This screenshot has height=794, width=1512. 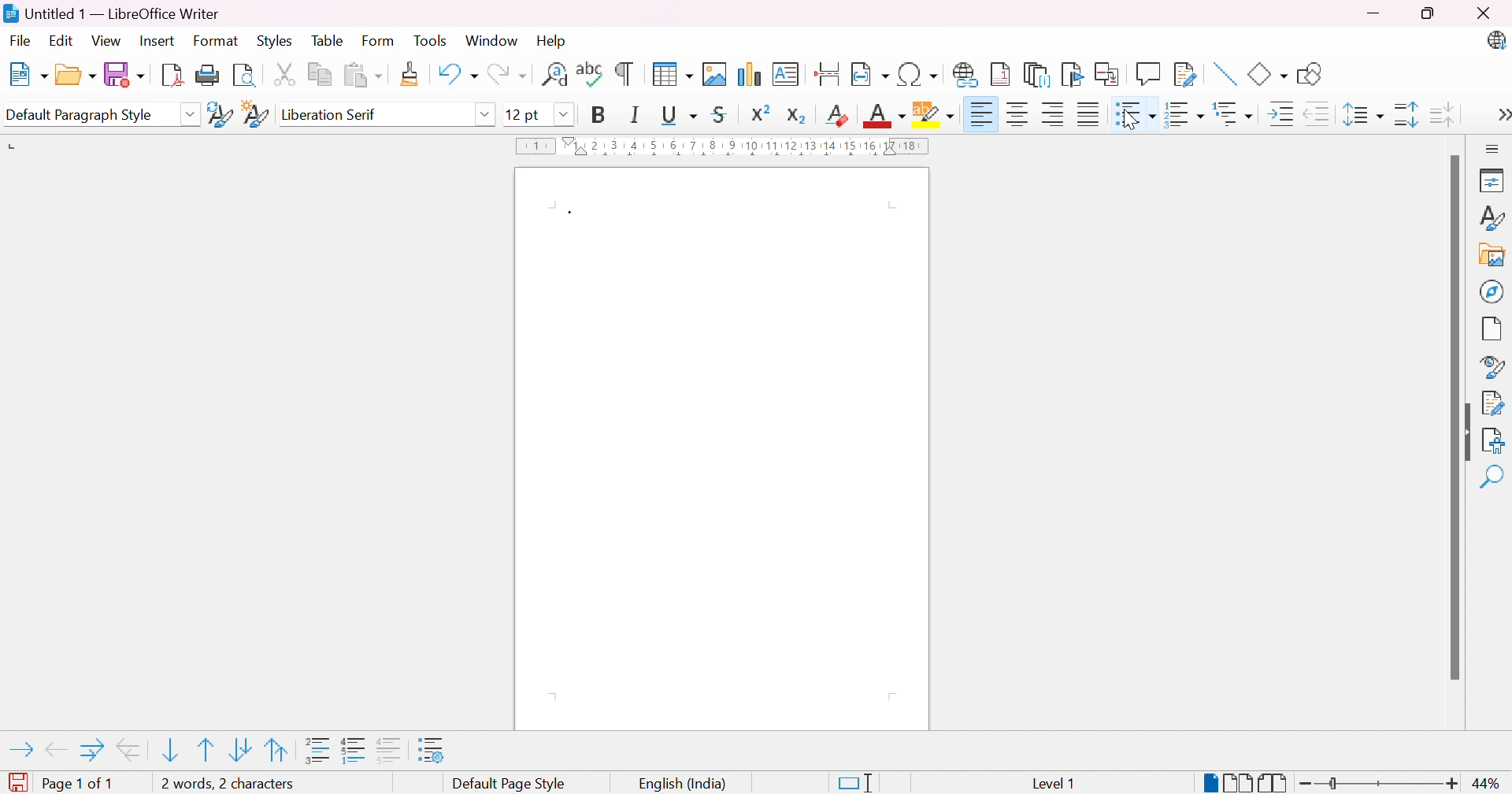 What do you see at coordinates (319, 751) in the screenshot?
I see `Insert unnumbered entry` at bounding box center [319, 751].